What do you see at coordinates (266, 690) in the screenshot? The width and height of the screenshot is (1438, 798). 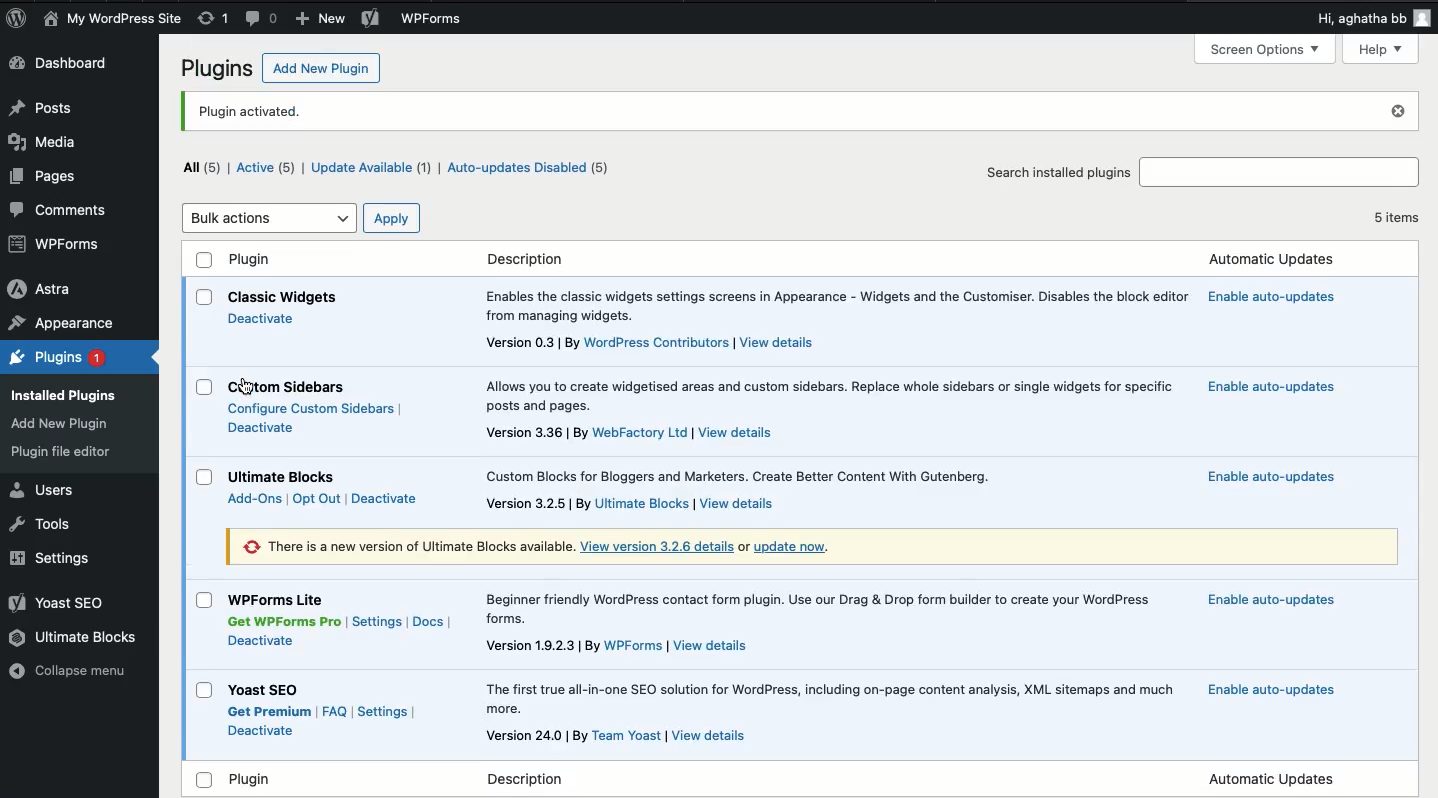 I see `Yoast SOE` at bounding box center [266, 690].